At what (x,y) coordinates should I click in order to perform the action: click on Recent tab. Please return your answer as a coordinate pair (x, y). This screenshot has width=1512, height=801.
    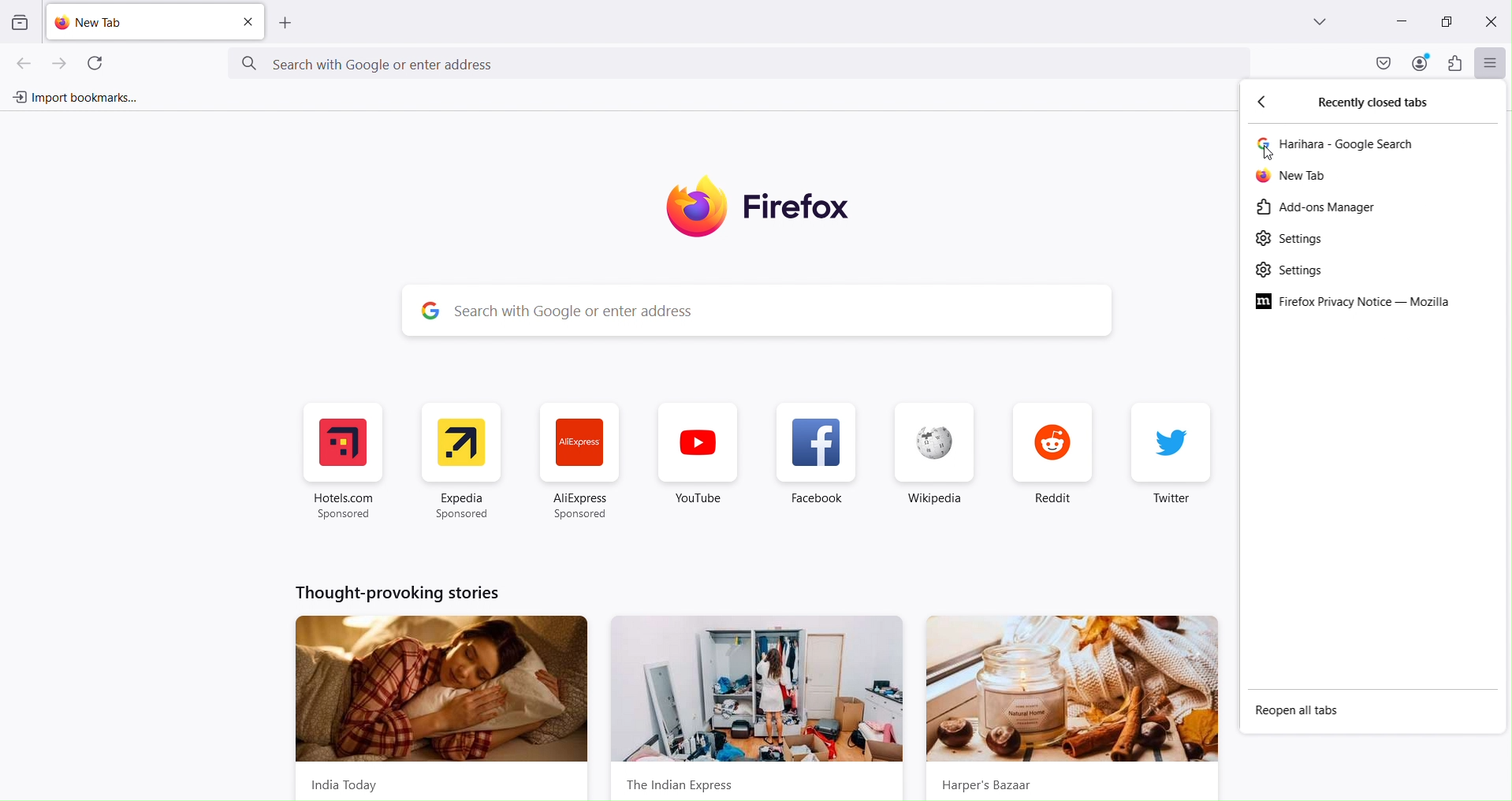
    Looking at the image, I should click on (1343, 144).